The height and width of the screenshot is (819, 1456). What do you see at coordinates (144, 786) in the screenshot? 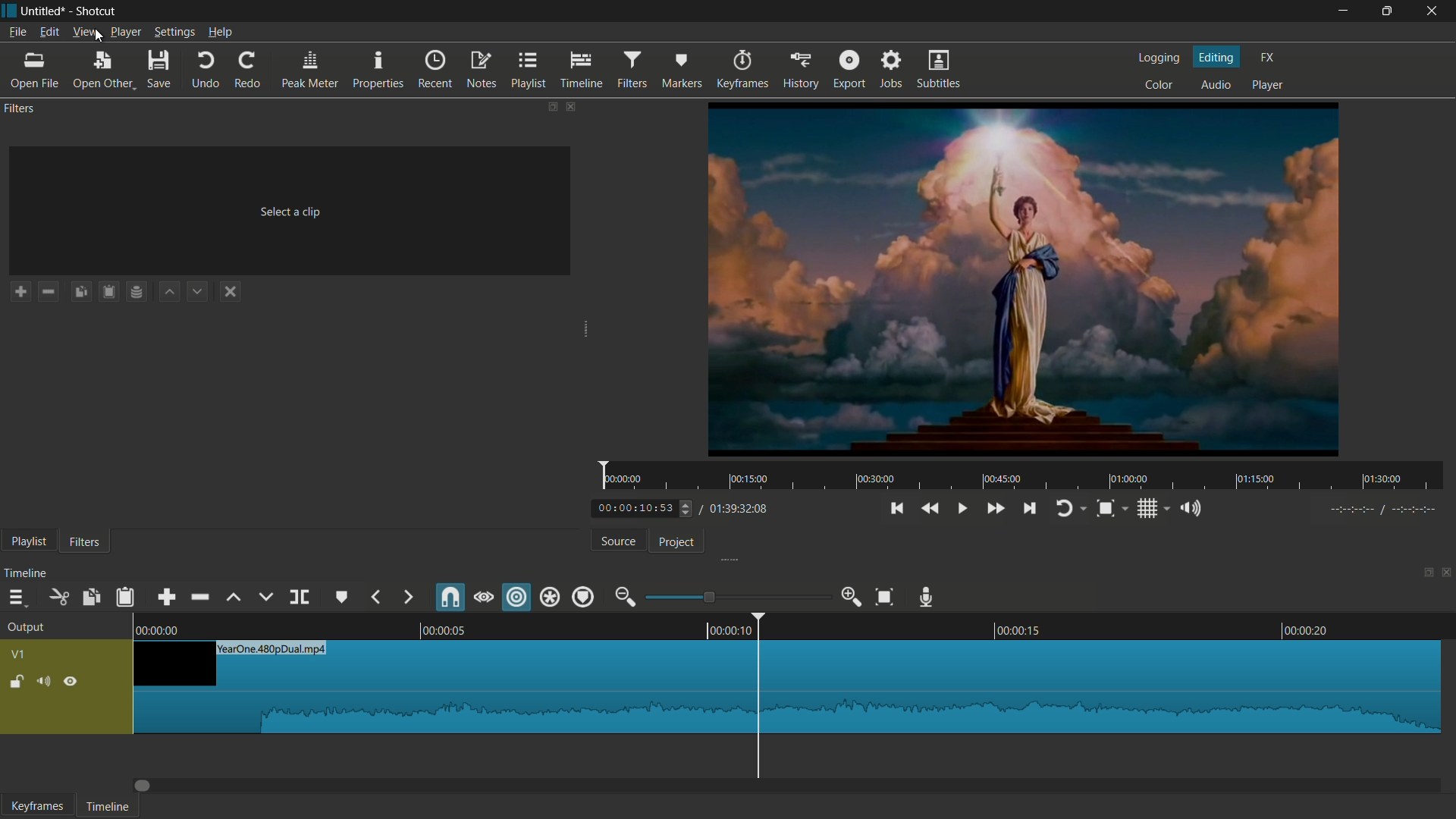
I see `move forward` at bounding box center [144, 786].